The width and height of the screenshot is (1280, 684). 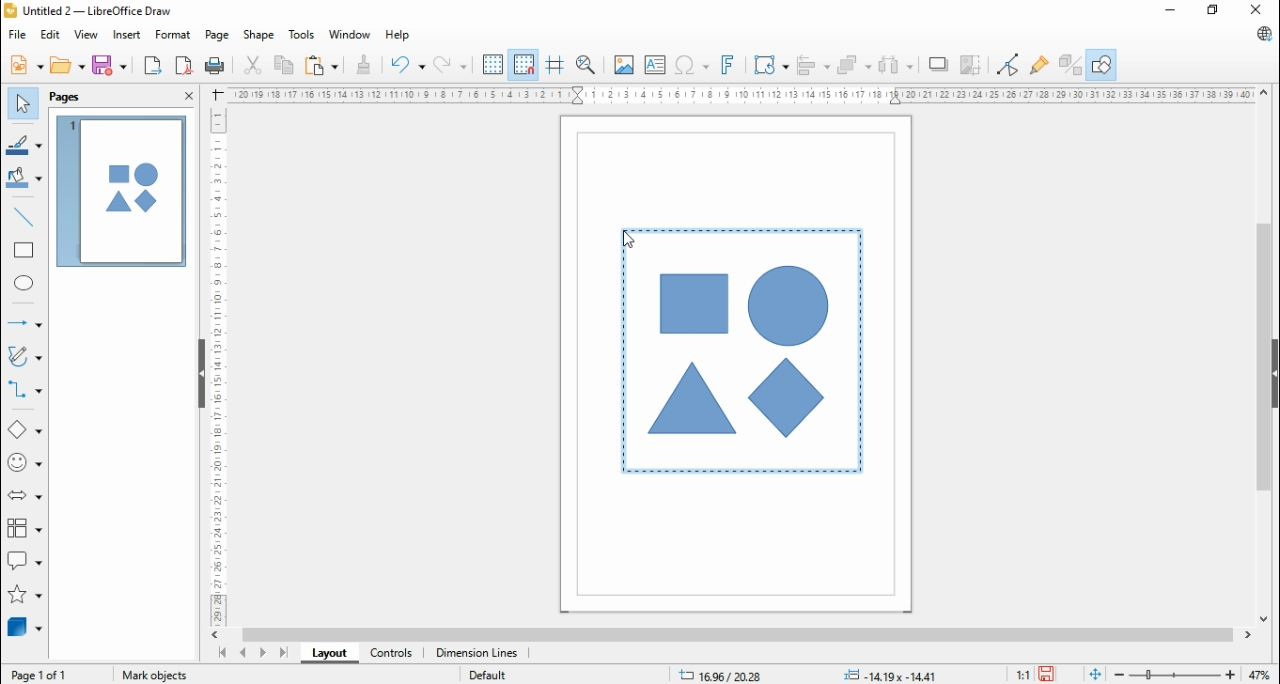 I want to click on open, so click(x=67, y=64).